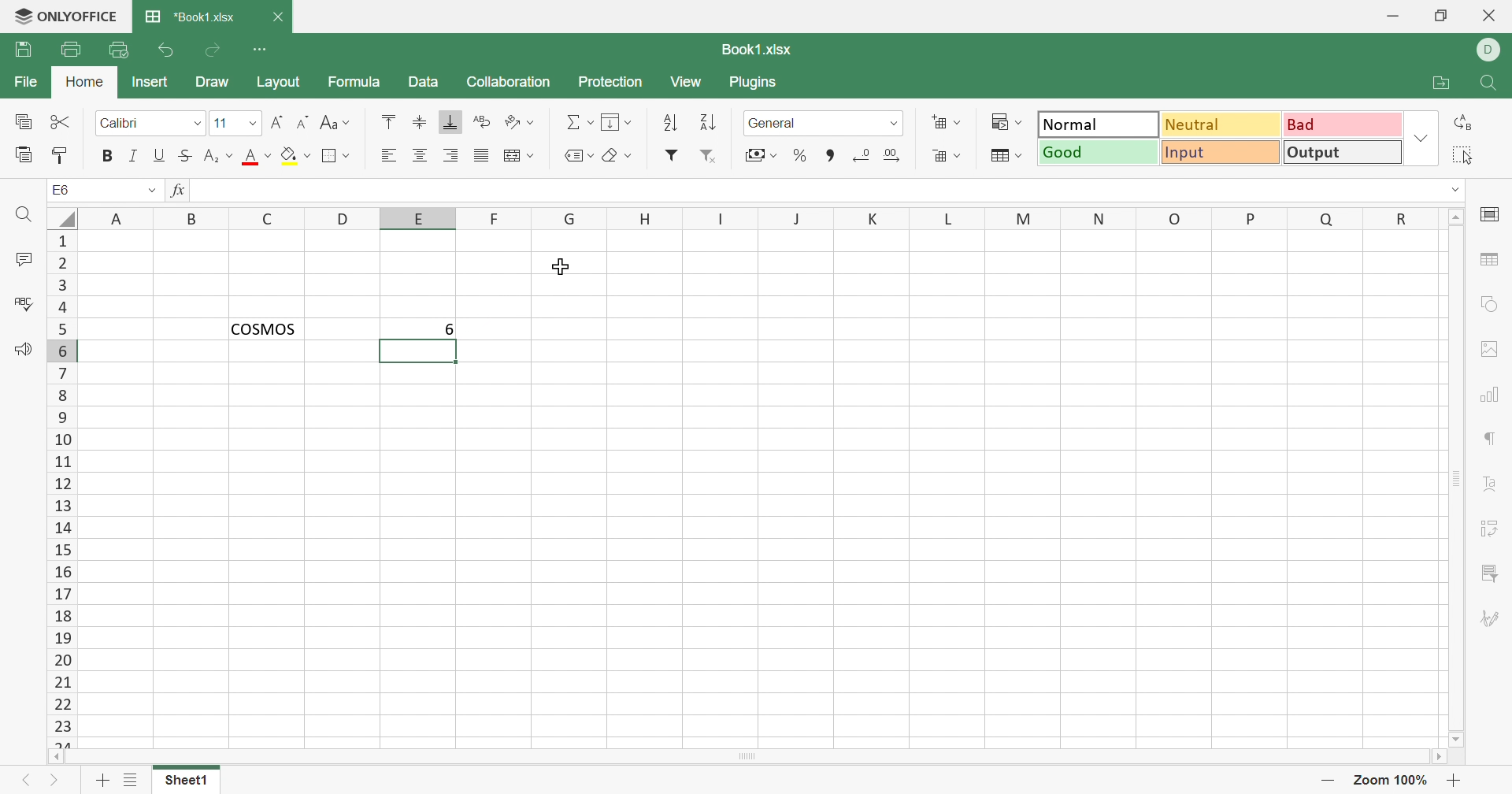  Describe the element at coordinates (763, 155) in the screenshot. I see `Accounting style` at that location.